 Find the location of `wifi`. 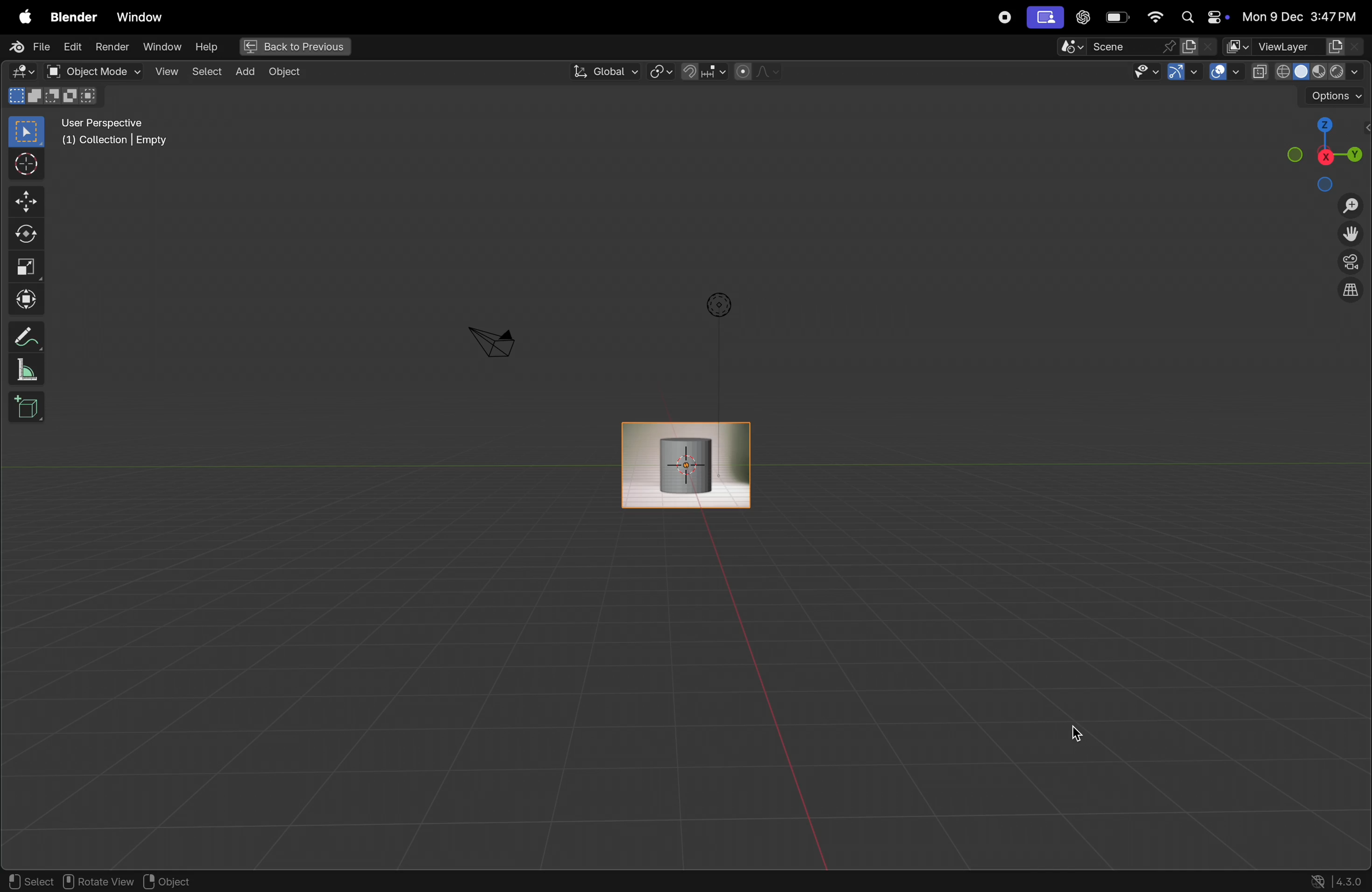

wifi is located at coordinates (1155, 17).